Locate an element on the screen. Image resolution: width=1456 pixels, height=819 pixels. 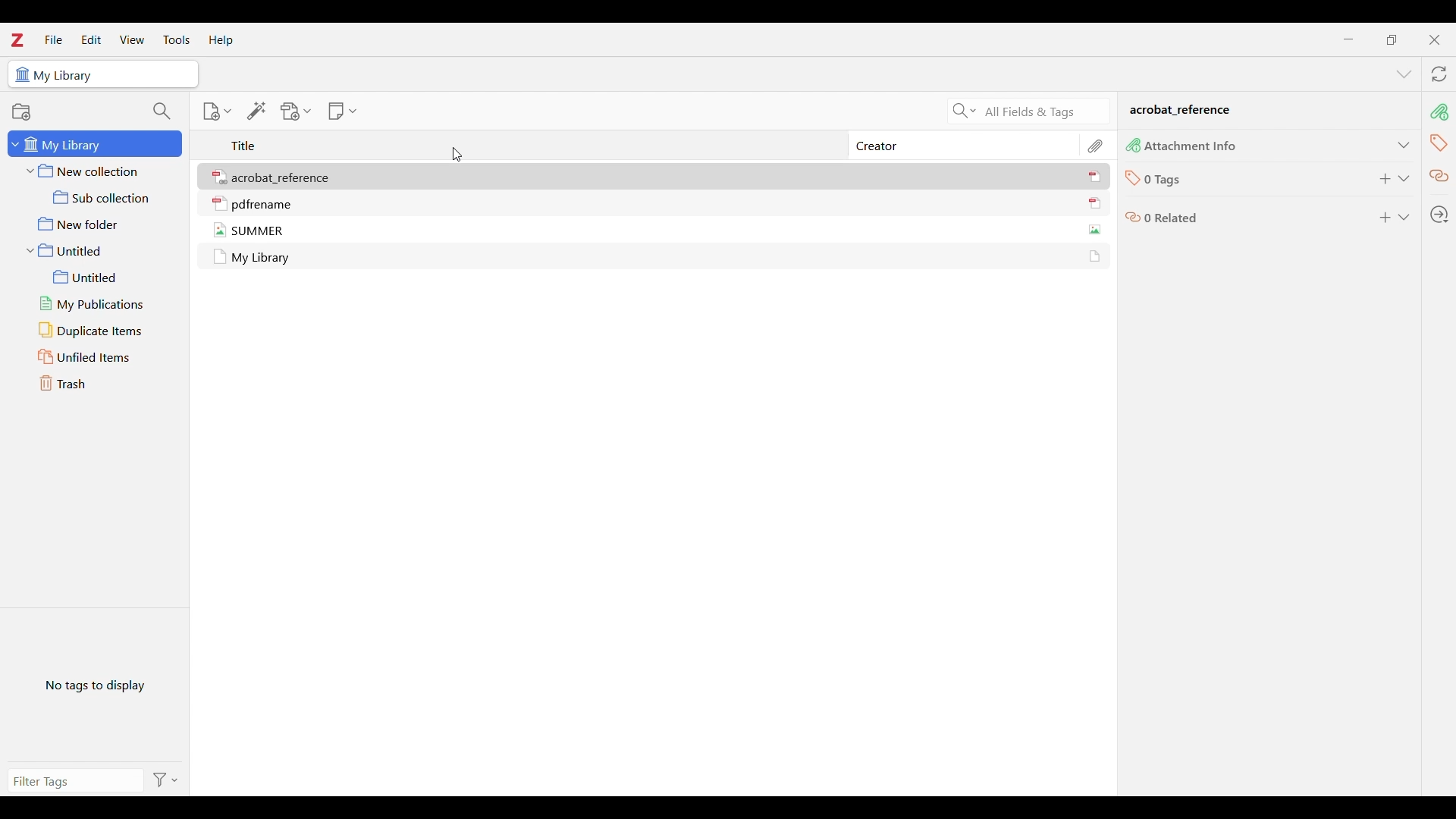
0 Related is located at coordinates (1172, 217).